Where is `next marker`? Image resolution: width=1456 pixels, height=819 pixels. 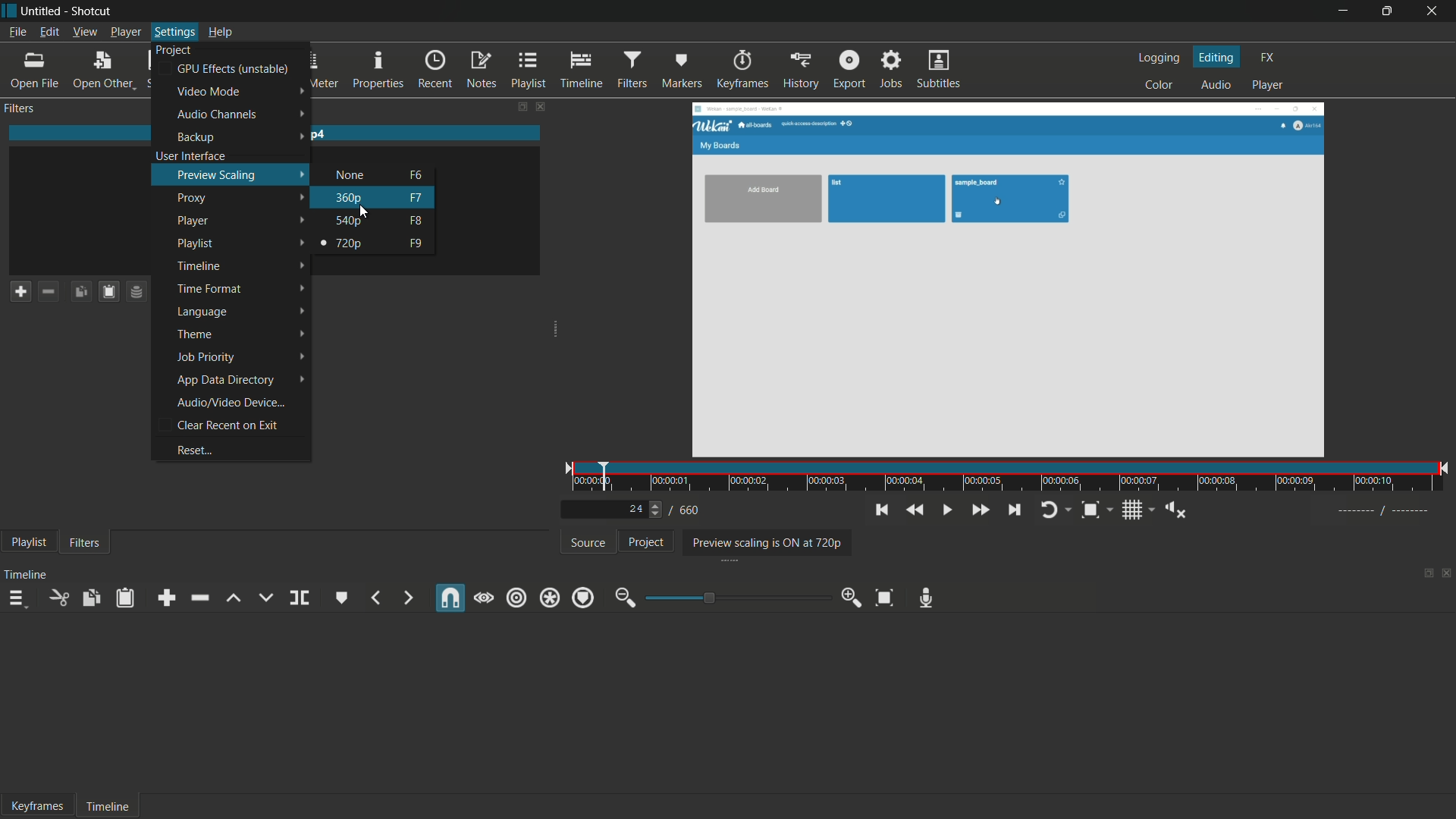
next marker is located at coordinates (407, 597).